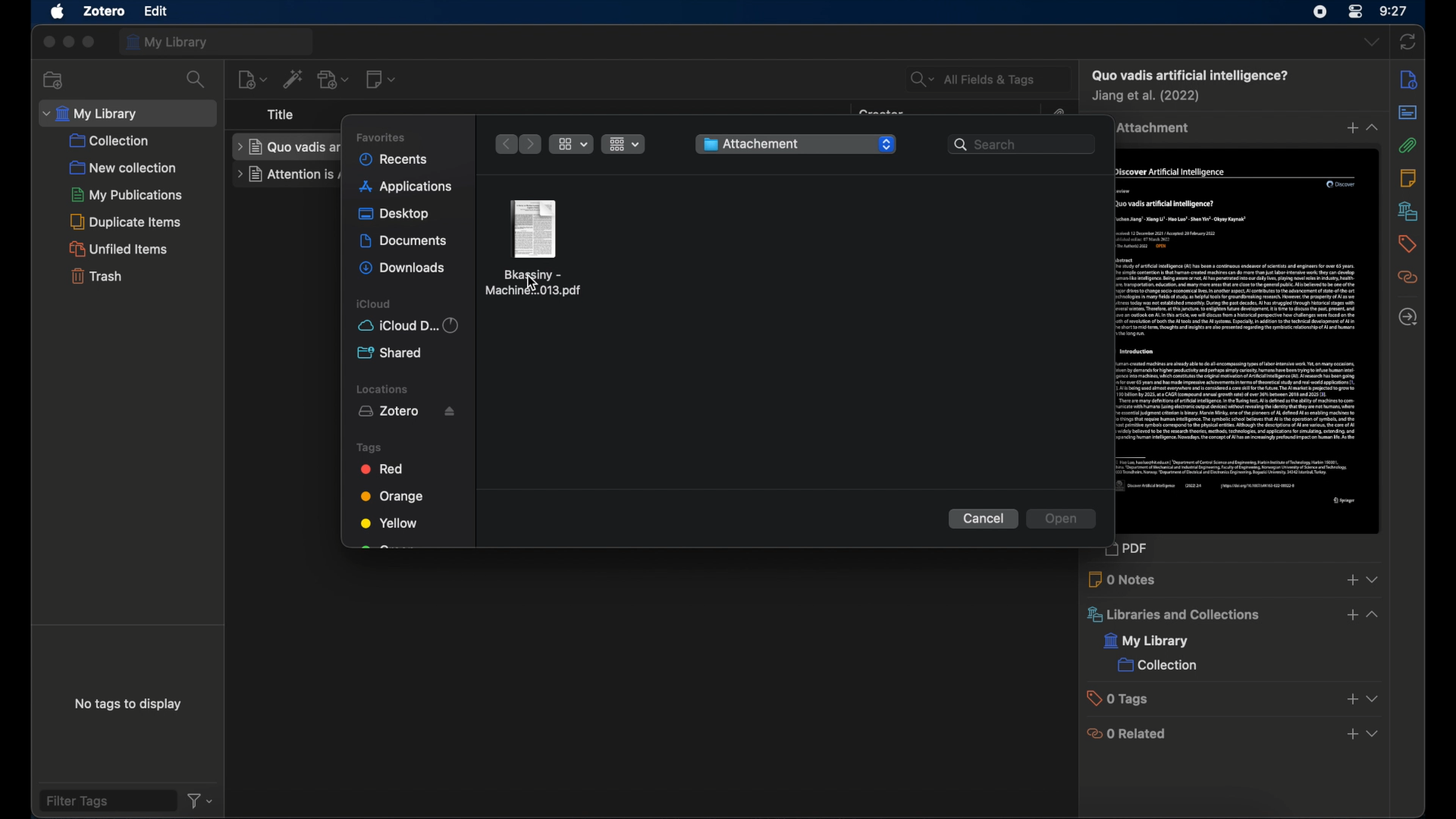 This screenshot has height=819, width=1456. I want to click on file, so click(535, 246).